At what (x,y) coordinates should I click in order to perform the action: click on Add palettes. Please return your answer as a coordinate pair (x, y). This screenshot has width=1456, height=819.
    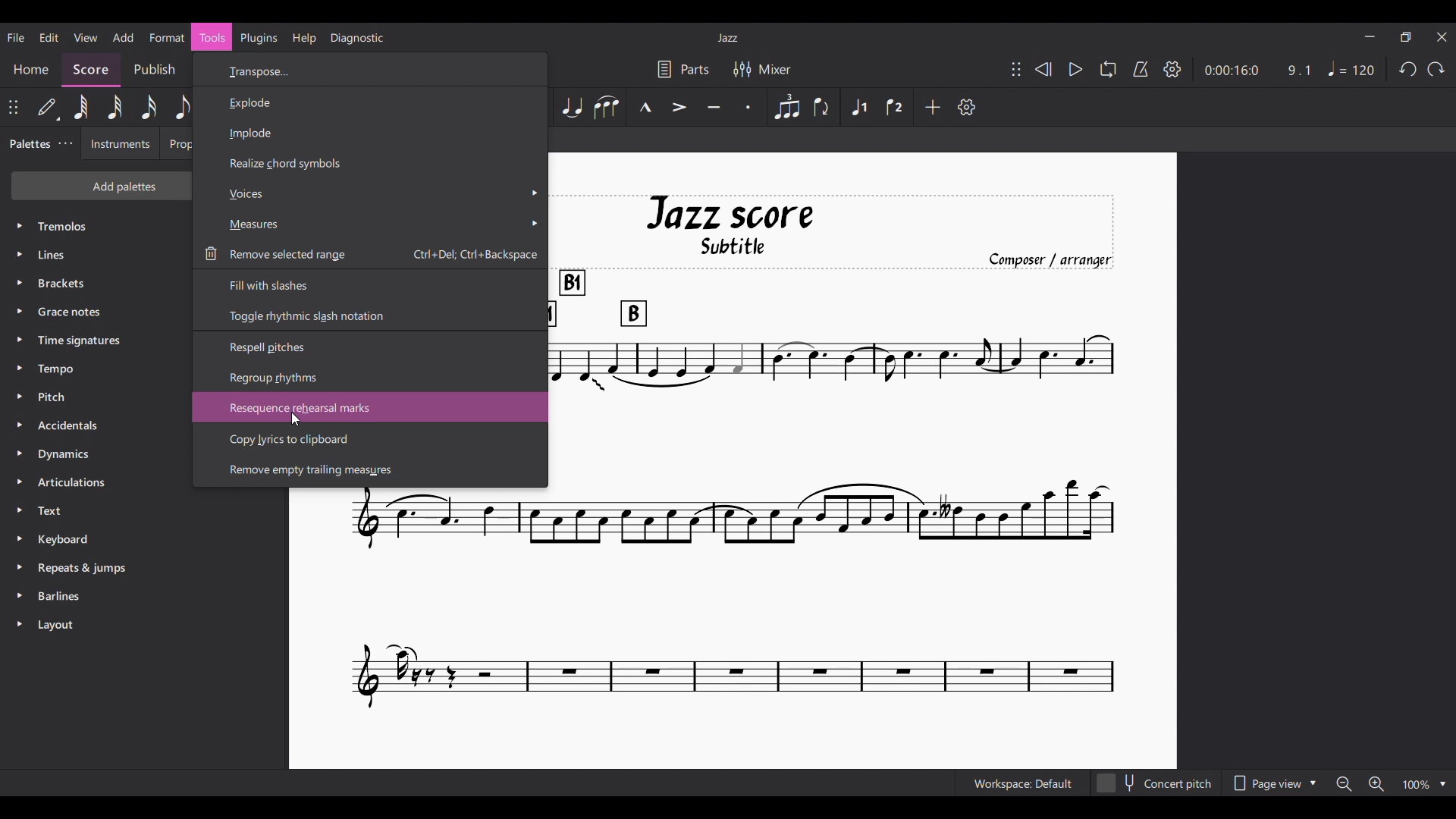
    Looking at the image, I should click on (100, 186).